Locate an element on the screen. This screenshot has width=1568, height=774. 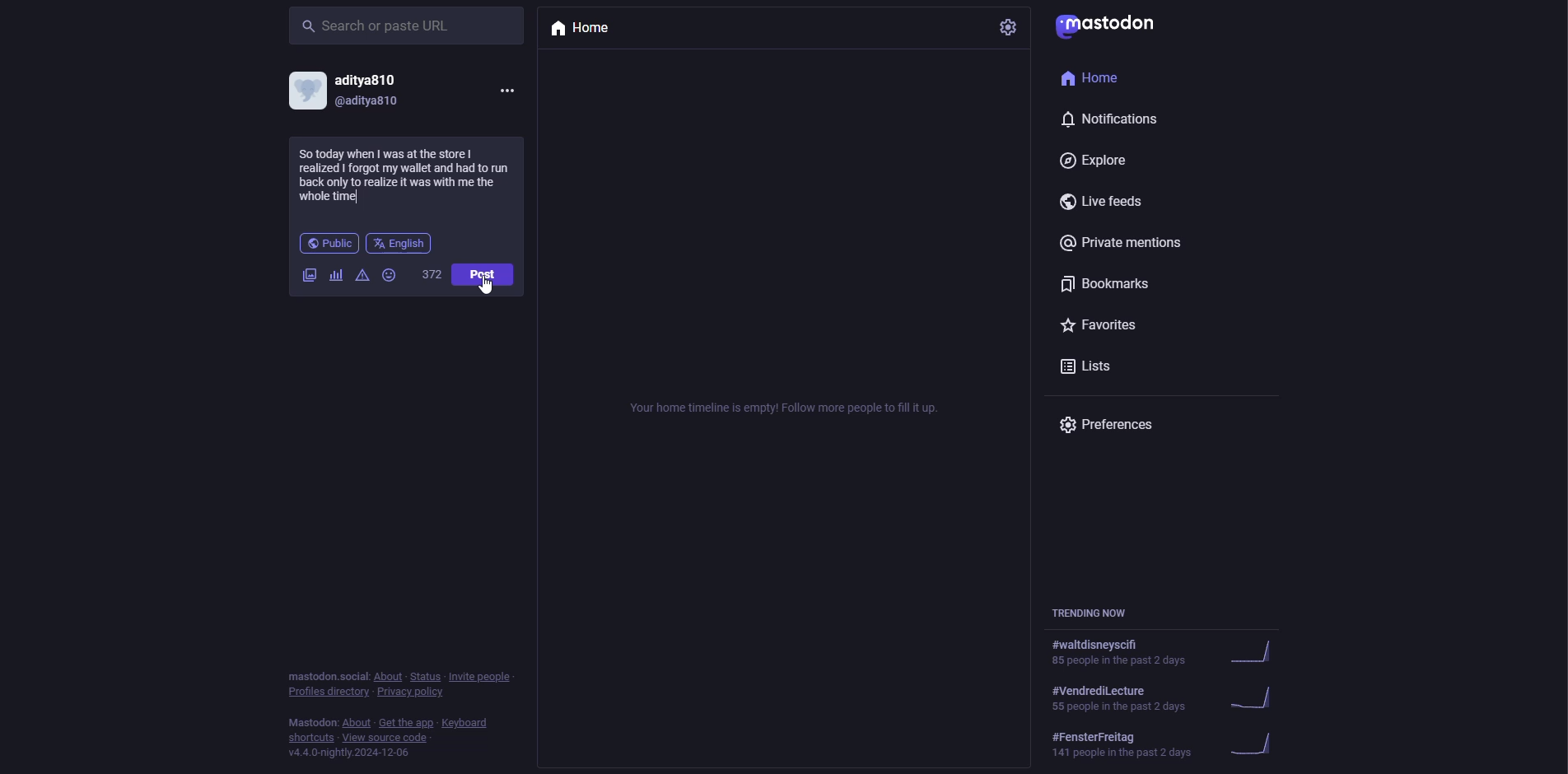
home is located at coordinates (1102, 81).